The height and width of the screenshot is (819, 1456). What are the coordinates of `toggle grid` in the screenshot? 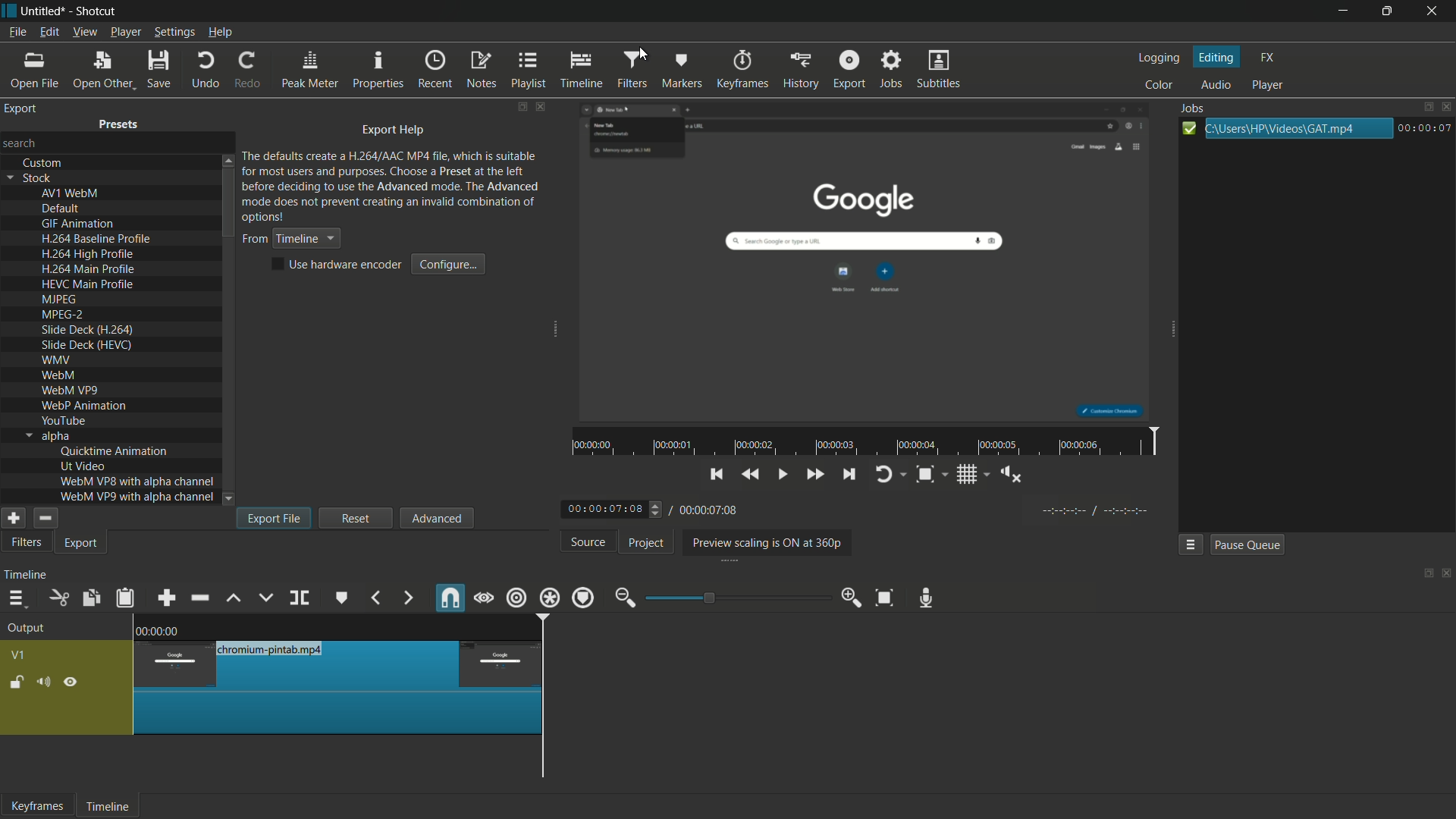 It's located at (971, 473).